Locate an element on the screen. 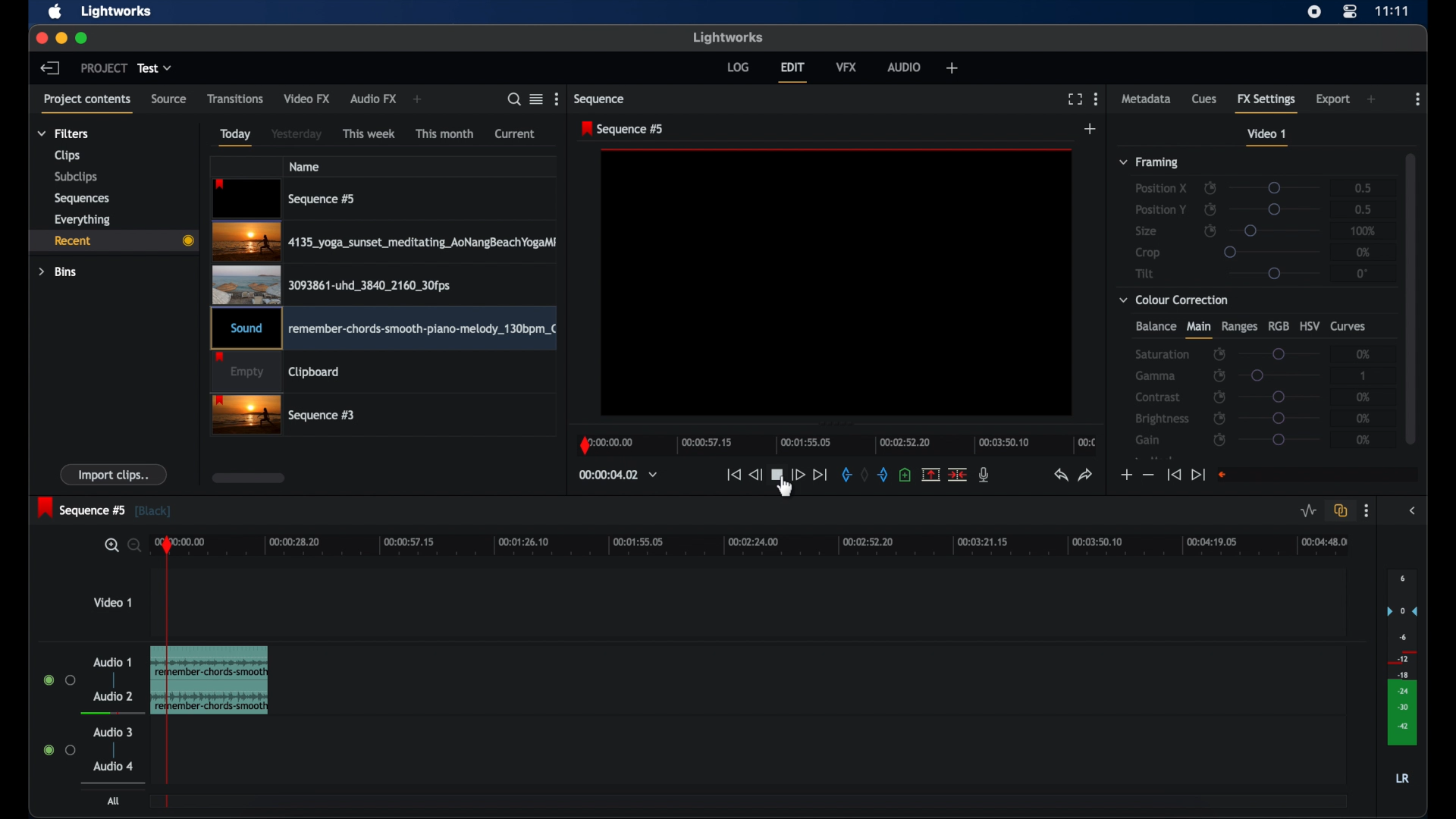  sequence 5 is located at coordinates (624, 129).